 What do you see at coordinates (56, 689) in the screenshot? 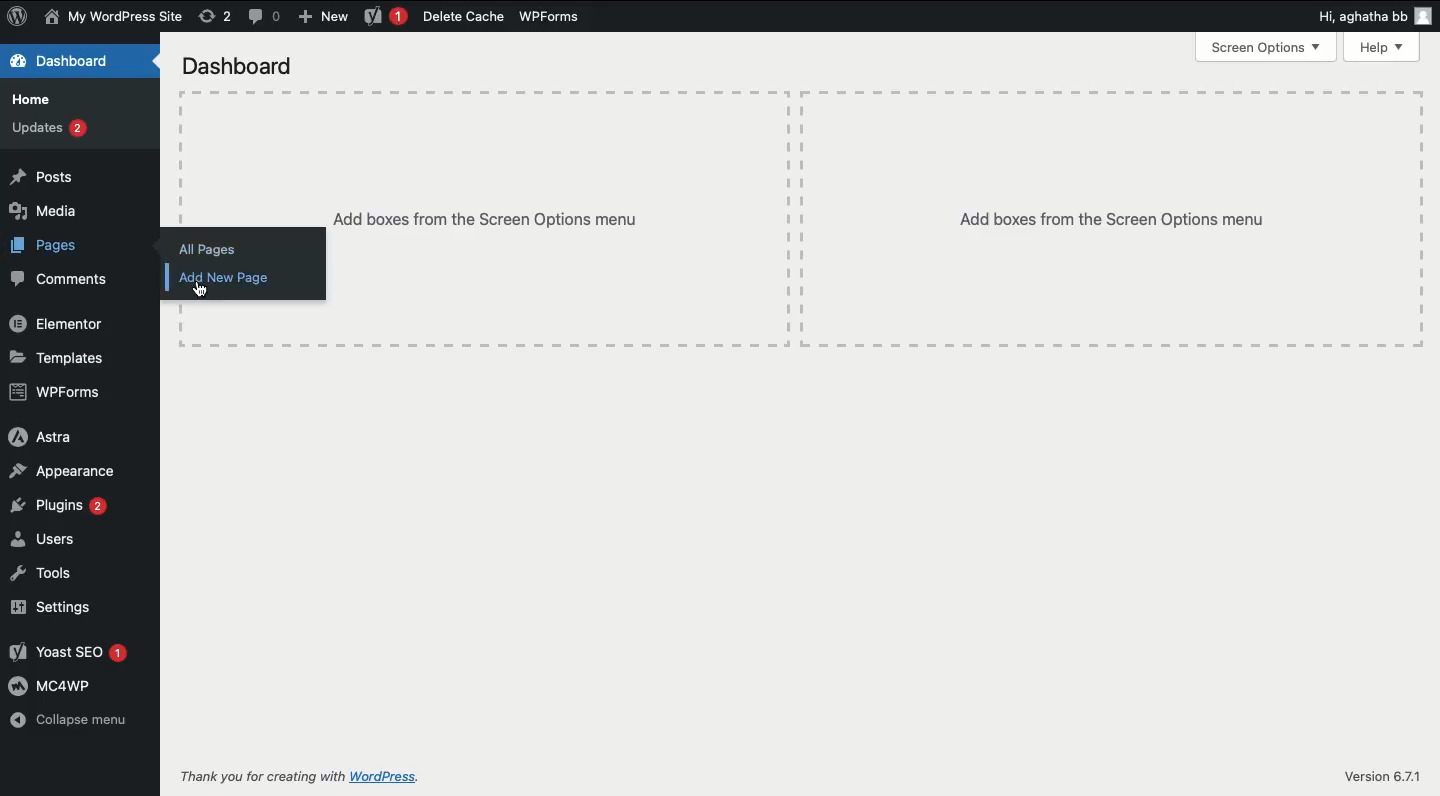
I see `MC4WP` at bounding box center [56, 689].